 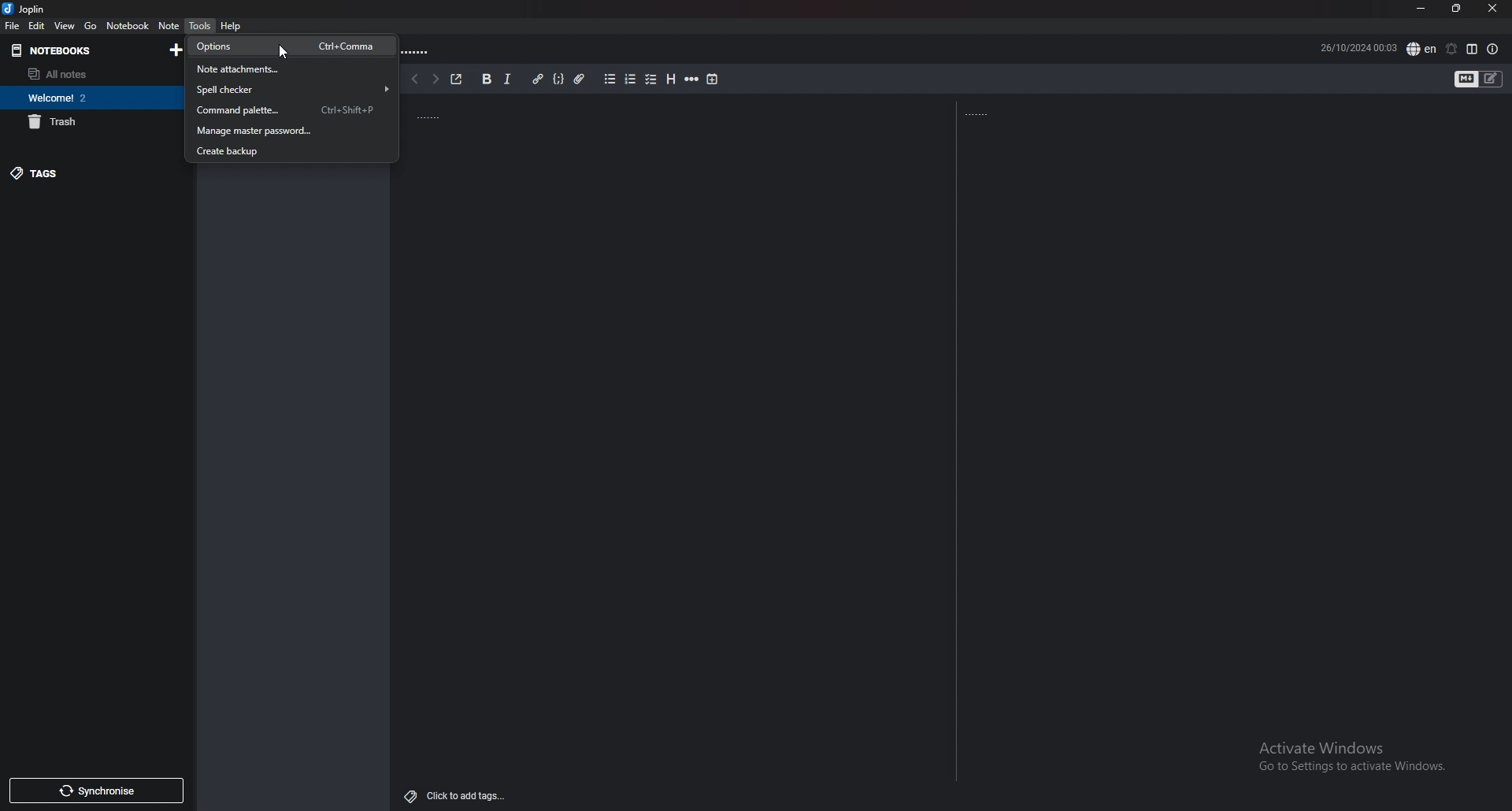 What do you see at coordinates (414, 80) in the screenshot?
I see `back` at bounding box center [414, 80].